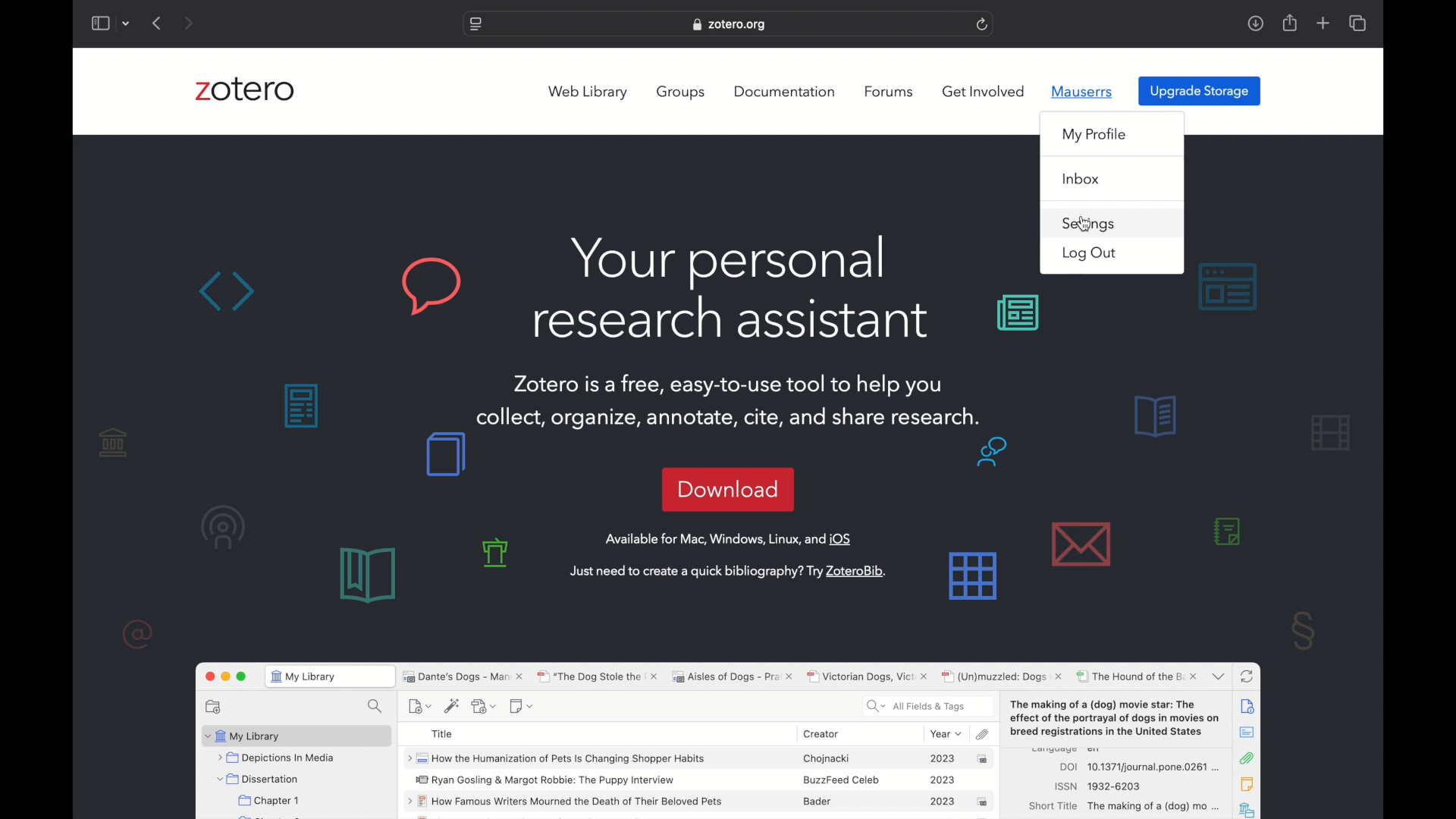 The image size is (1456, 819). I want to click on downloads, so click(1255, 24).